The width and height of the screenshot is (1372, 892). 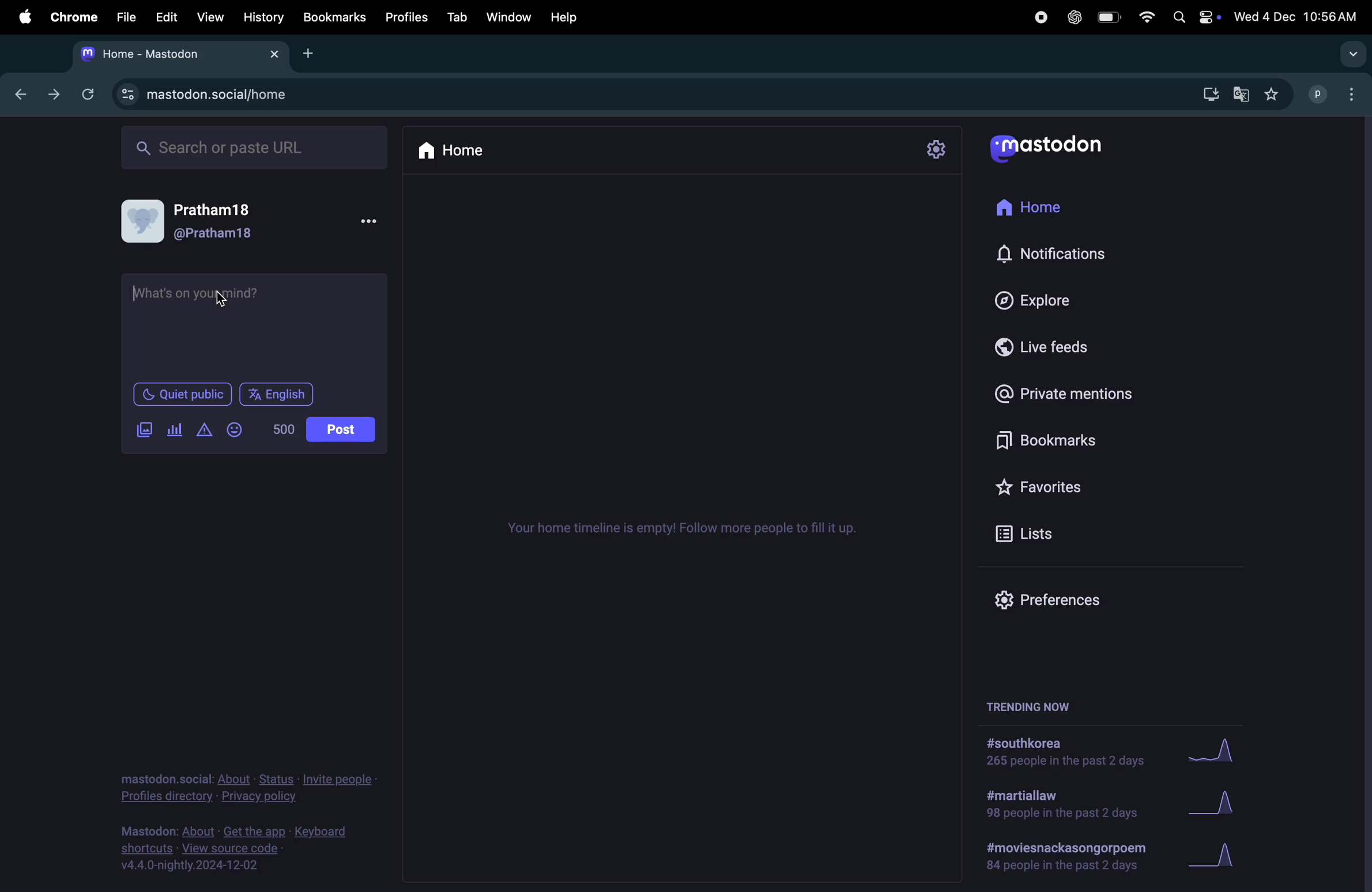 What do you see at coordinates (1064, 752) in the screenshot?
I see `#south korea` at bounding box center [1064, 752].